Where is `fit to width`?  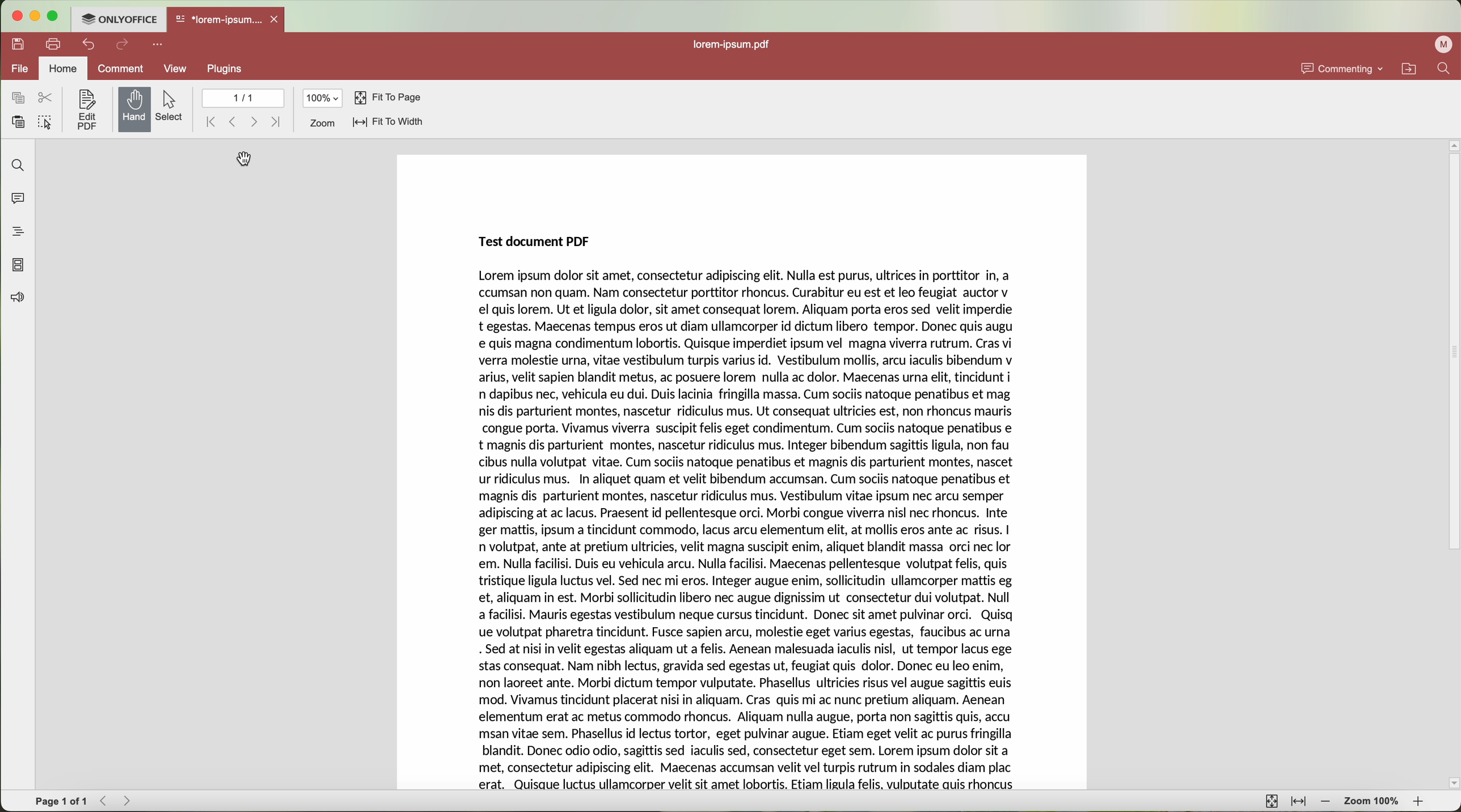 fit to width is located at coordinates (1300, 802).